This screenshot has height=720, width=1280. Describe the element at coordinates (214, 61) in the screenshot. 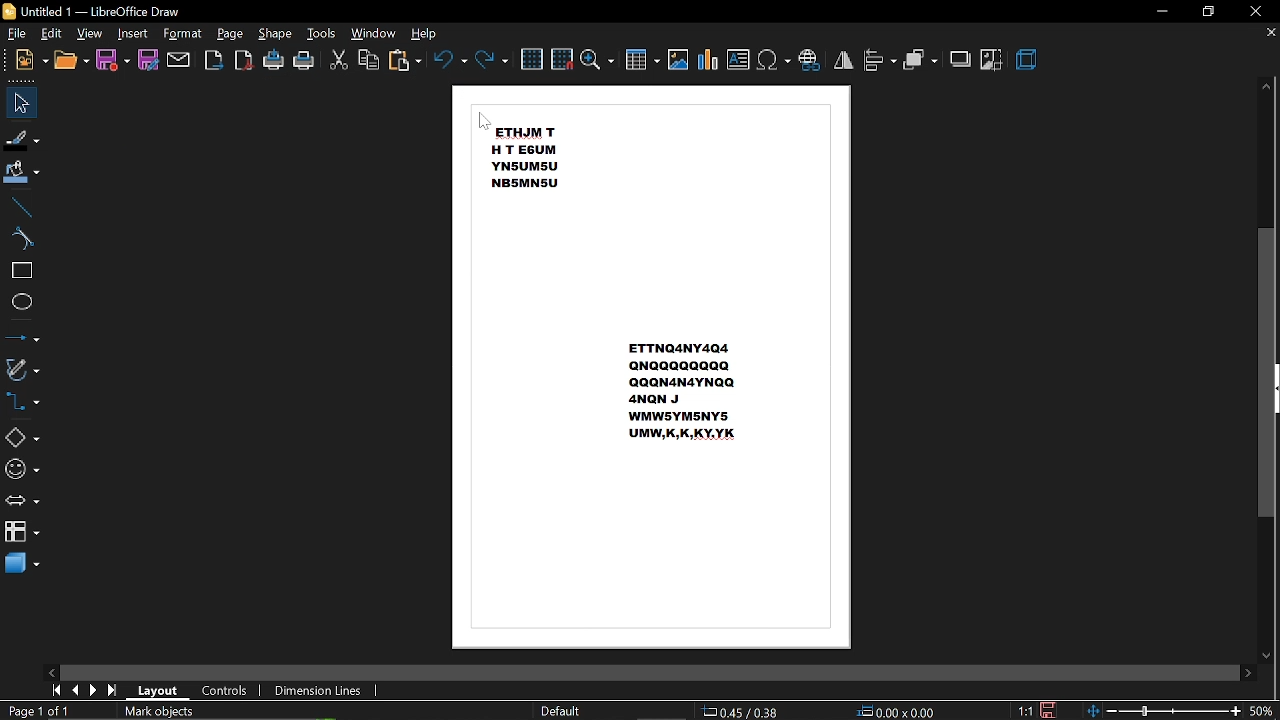

I see `Export` at that location.